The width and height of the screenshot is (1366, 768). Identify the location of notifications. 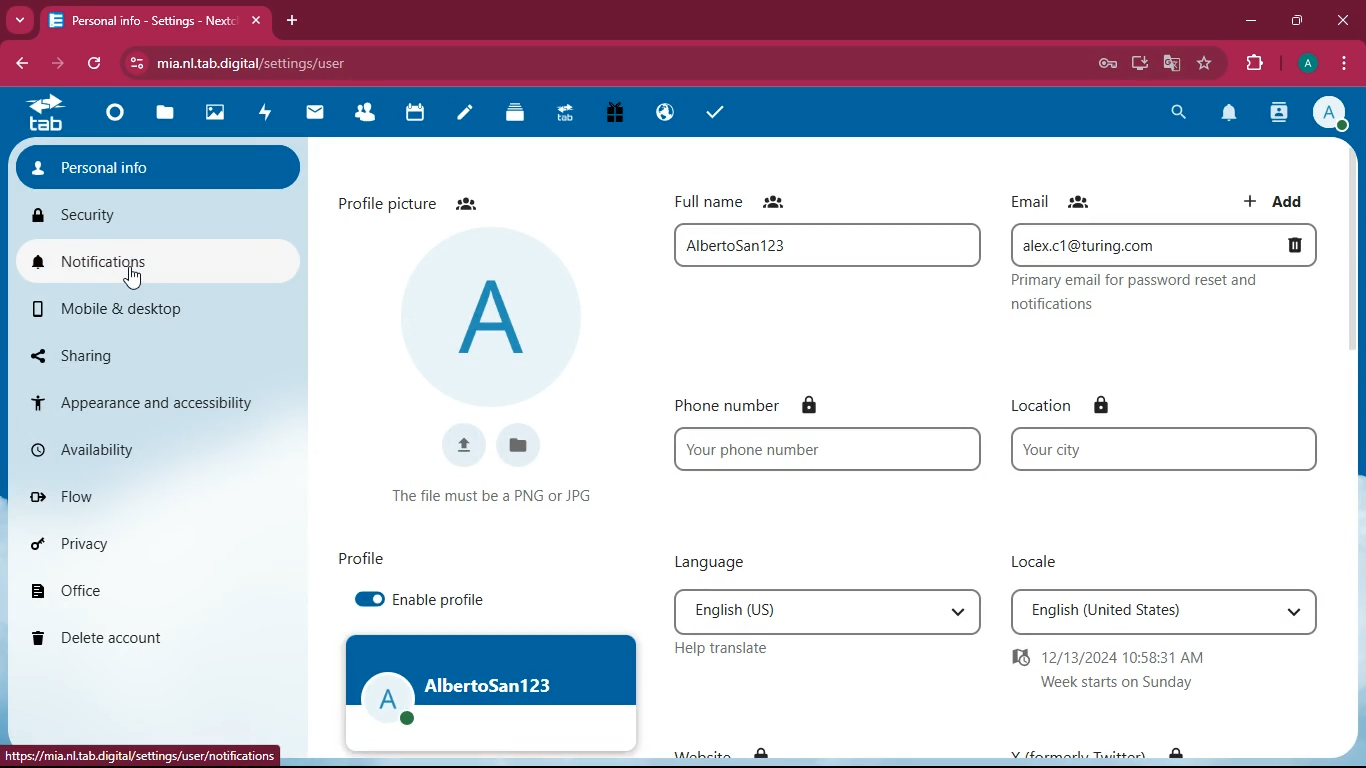
(157, 261).